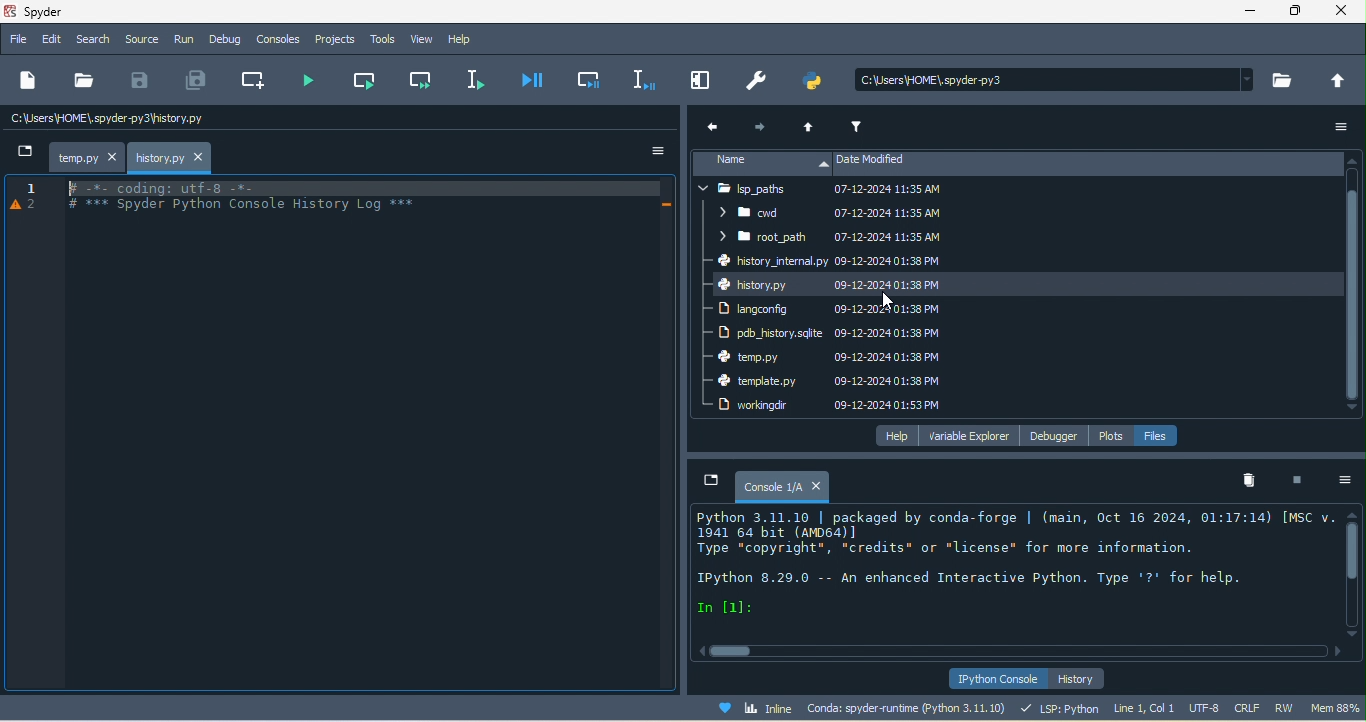 This screenshot has height=722, width=1366. Describe the element at coordinates (1342, 129) in the screenshot. I see `option` at that location.